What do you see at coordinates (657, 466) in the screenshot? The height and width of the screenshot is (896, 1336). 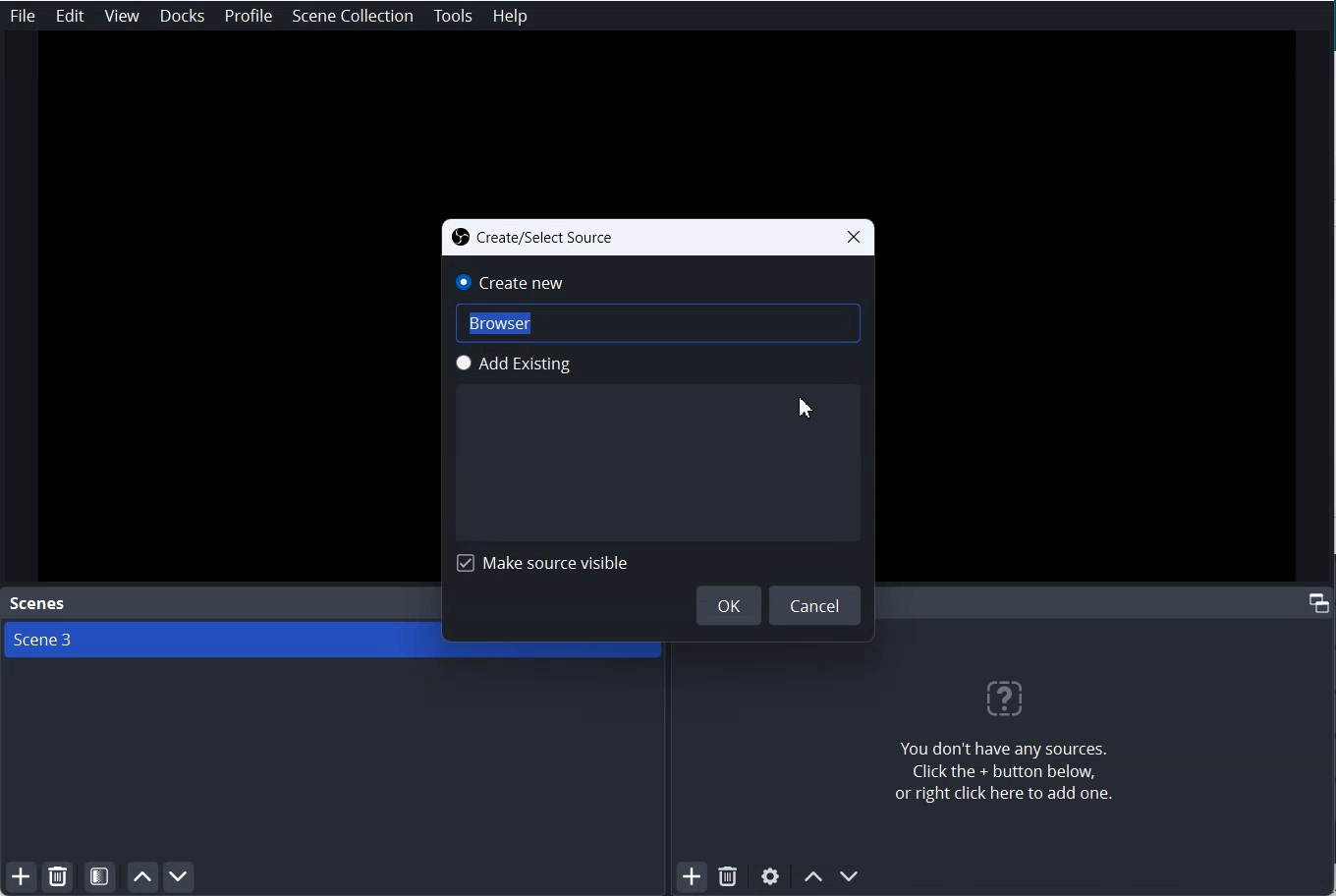 I see `Existing source name` at bounding box center [657, 466].